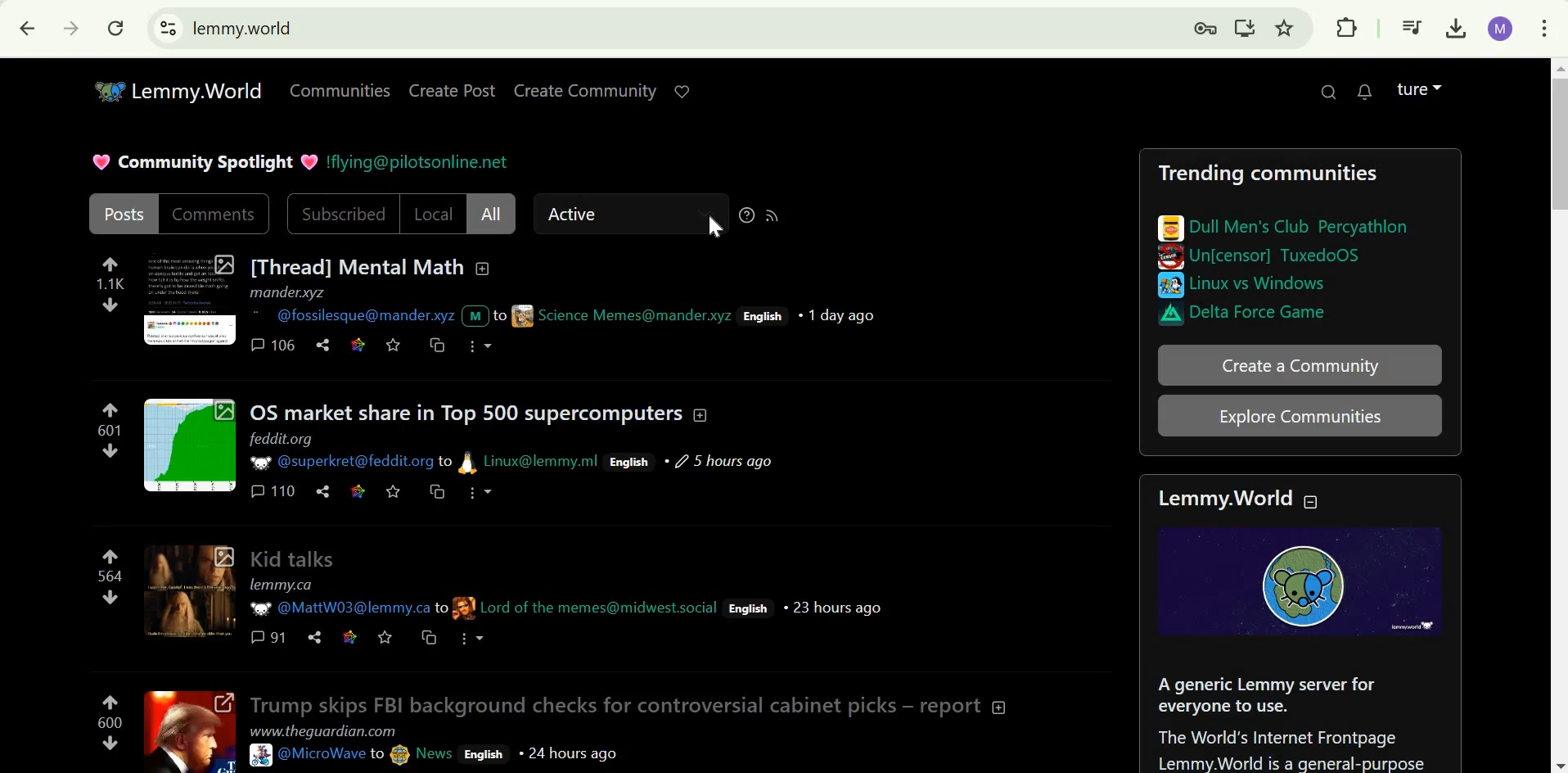  Describe the element at coordinates (1246, 29) in the screenshot. I see `Install.lemmy` at that location.